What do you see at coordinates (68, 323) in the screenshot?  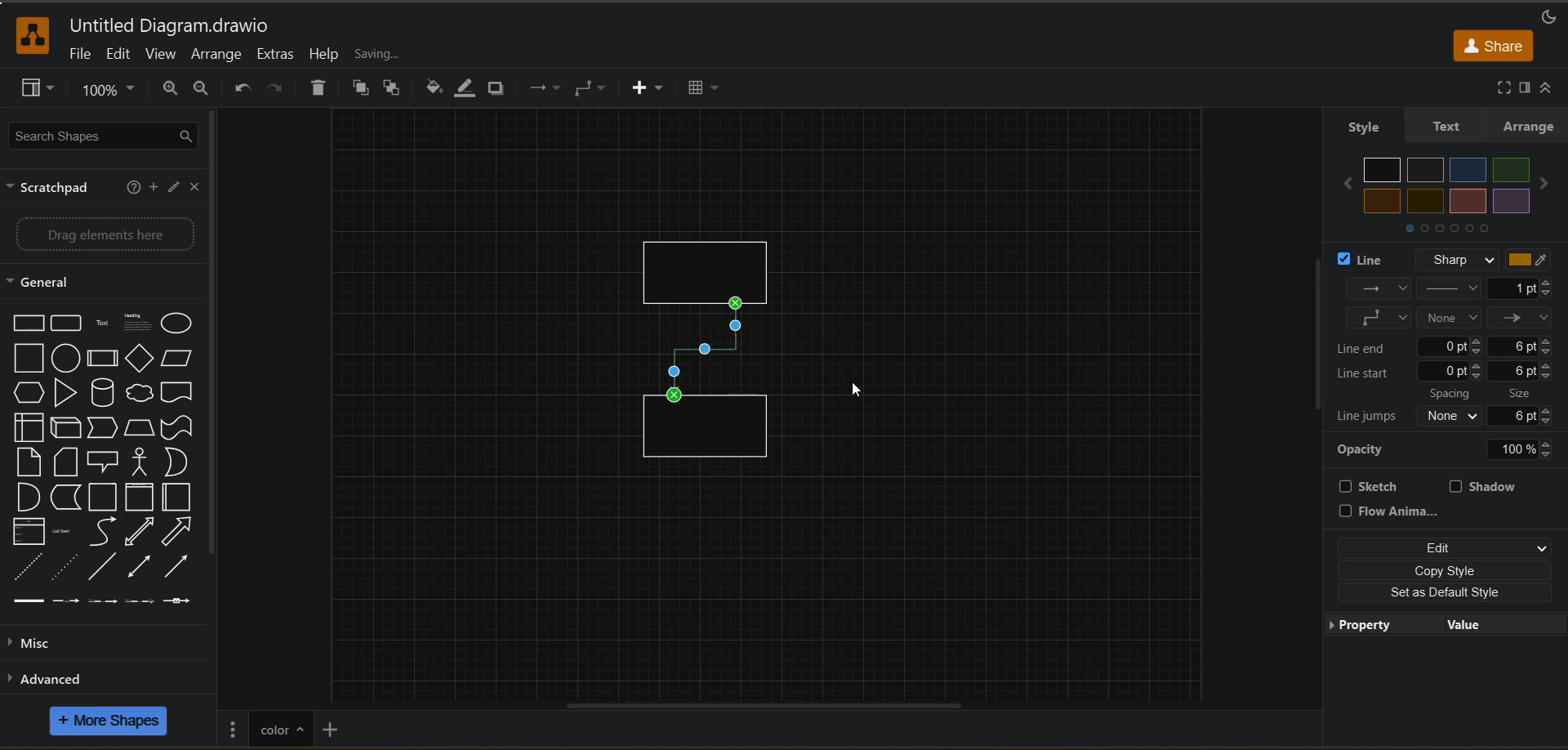 I see `Rounded Rectangle` at bounding box center [68, 323].